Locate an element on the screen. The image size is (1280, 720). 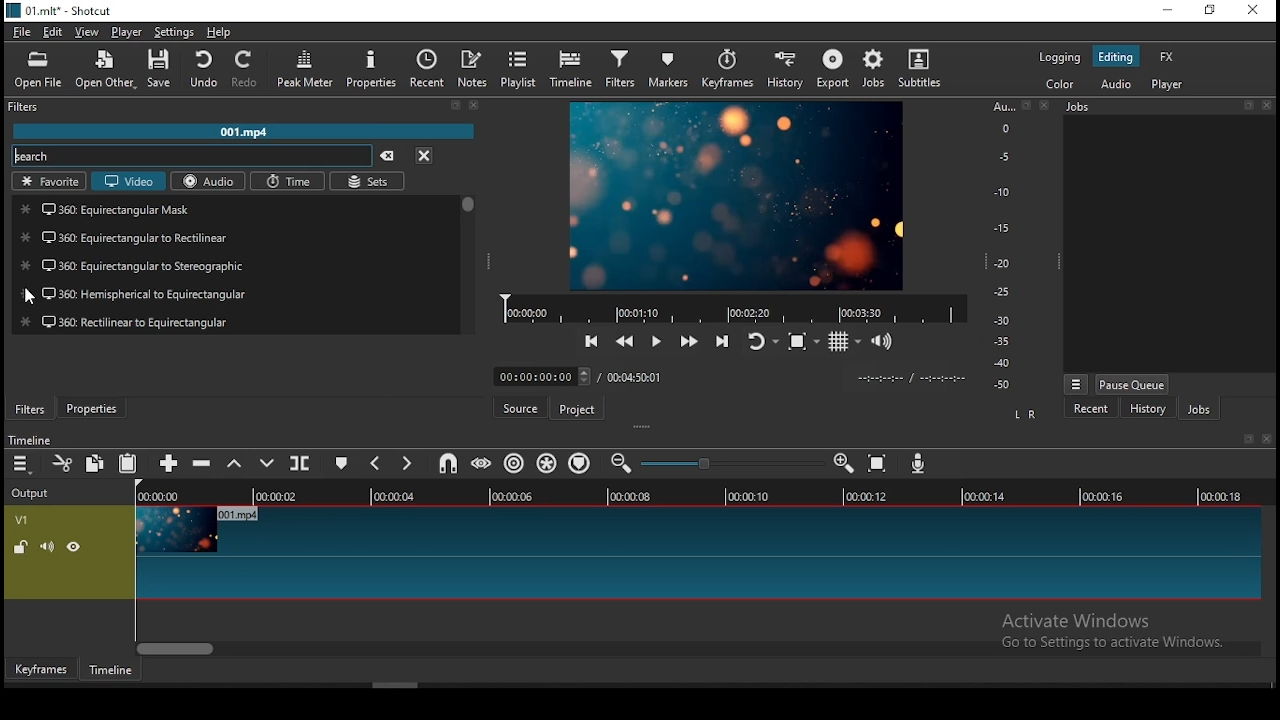
properties is located at coordinates (376, 67).